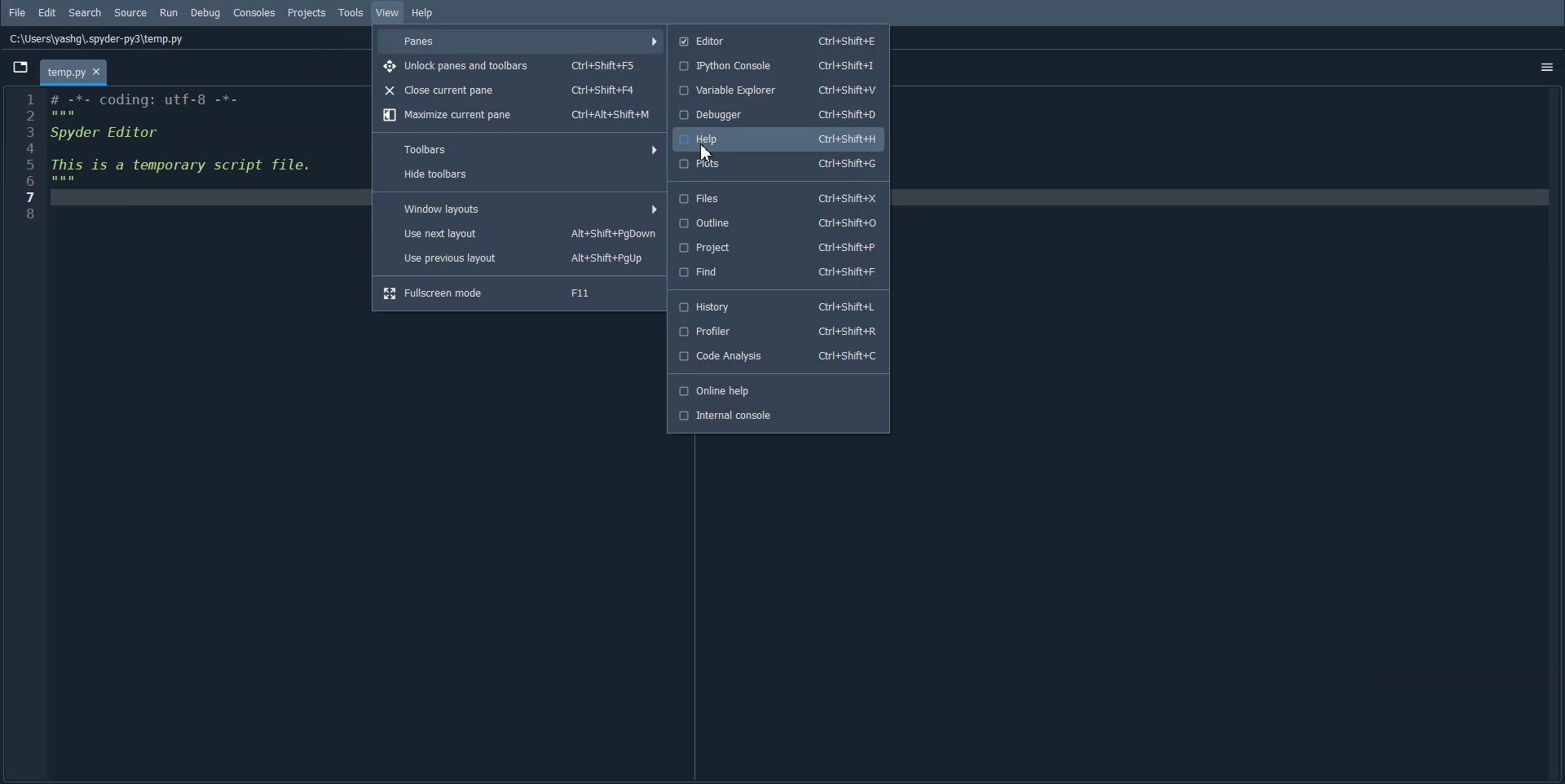  What do you see at coordinates (205, 13) in the screenshot?
I see `Debug` at bounding box center [205, 13].